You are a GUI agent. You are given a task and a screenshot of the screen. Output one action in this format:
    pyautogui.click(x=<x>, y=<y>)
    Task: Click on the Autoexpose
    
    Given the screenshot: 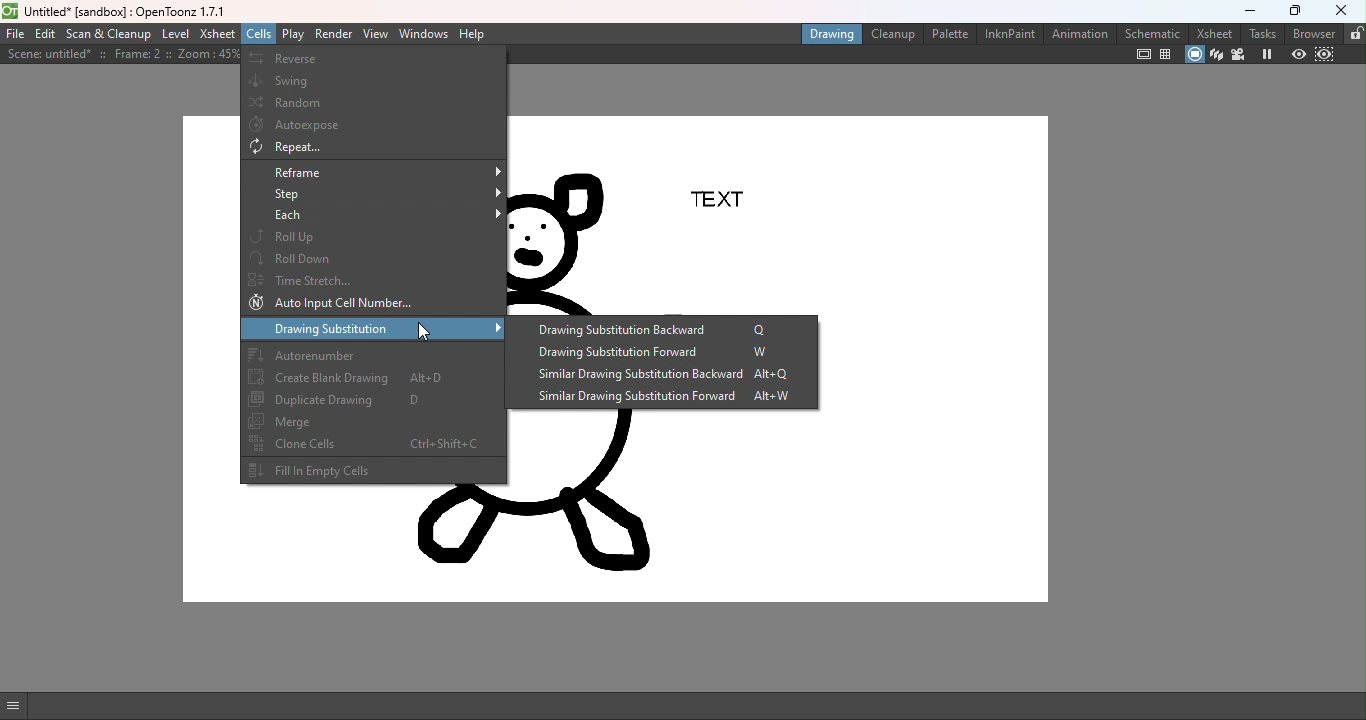 What is the action you would take?
    pyautogui.click(x=378, y=125)
    